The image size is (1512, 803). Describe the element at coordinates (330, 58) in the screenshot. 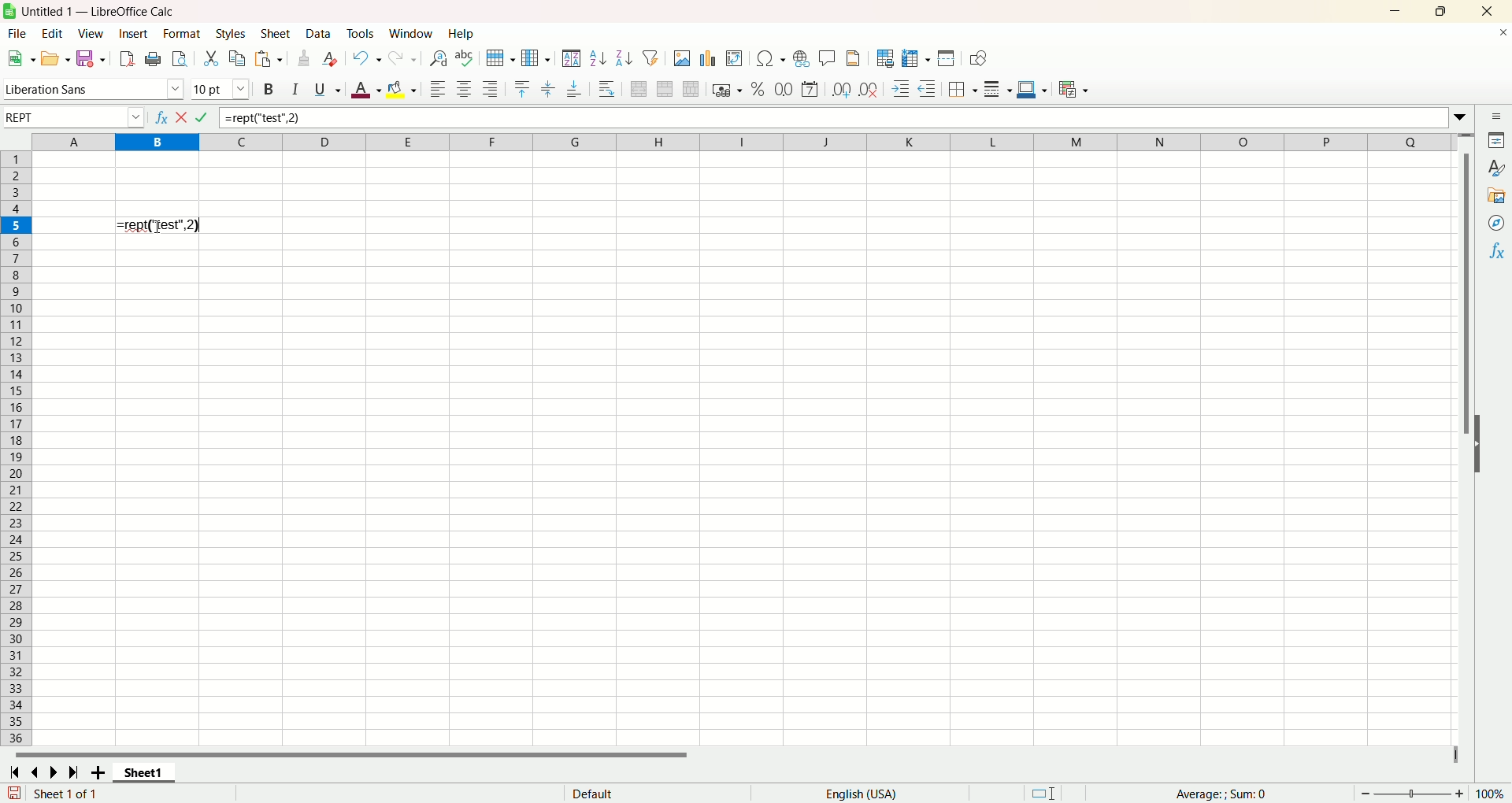

I see `clear formatting` at that location.